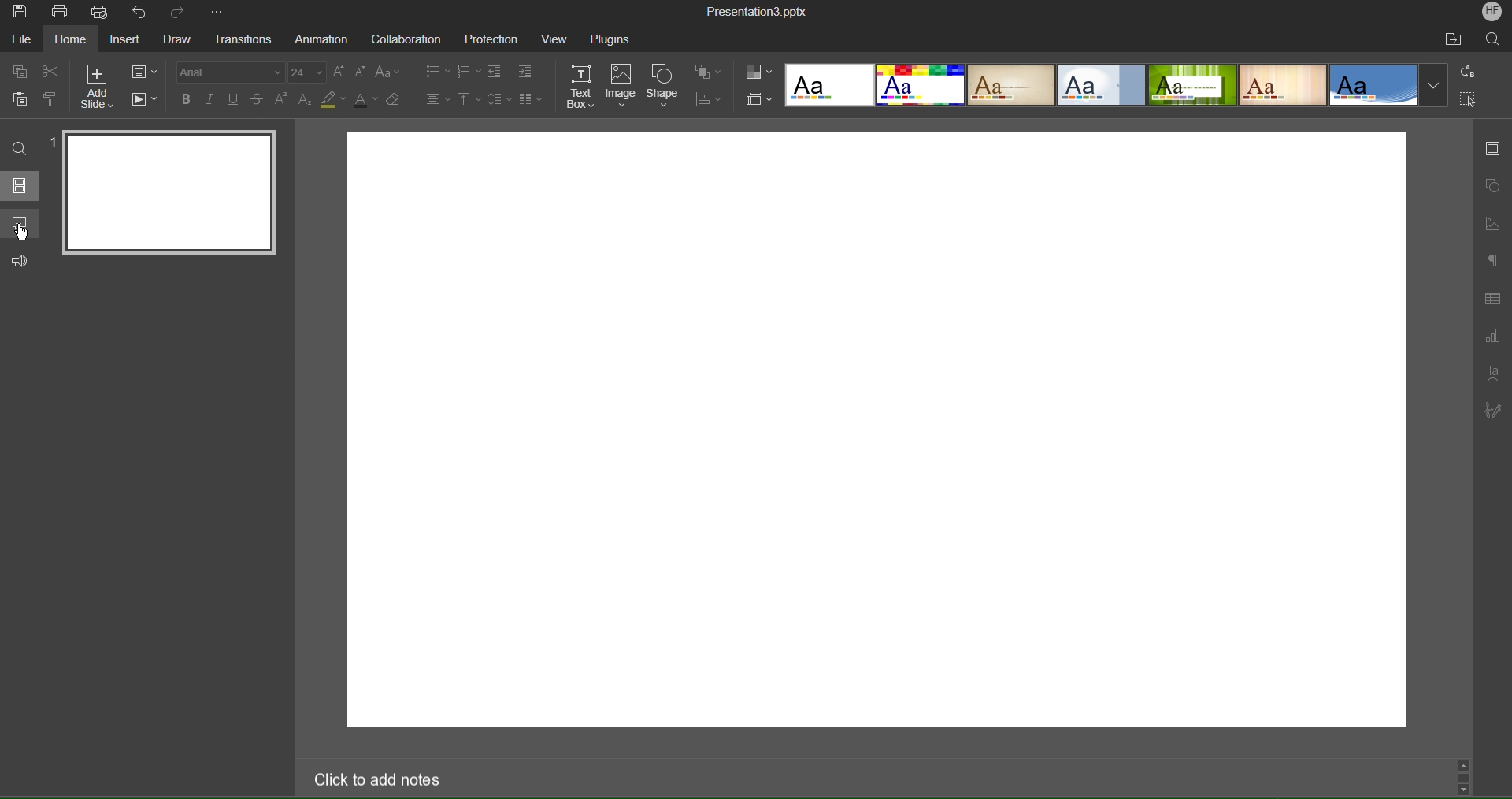 Image resolution: width=1512 pixels, height=799 pixels. What do you see at coordinates (758, 72) in the screenshot?
I see `Colors` at bounding box center [758, 72].